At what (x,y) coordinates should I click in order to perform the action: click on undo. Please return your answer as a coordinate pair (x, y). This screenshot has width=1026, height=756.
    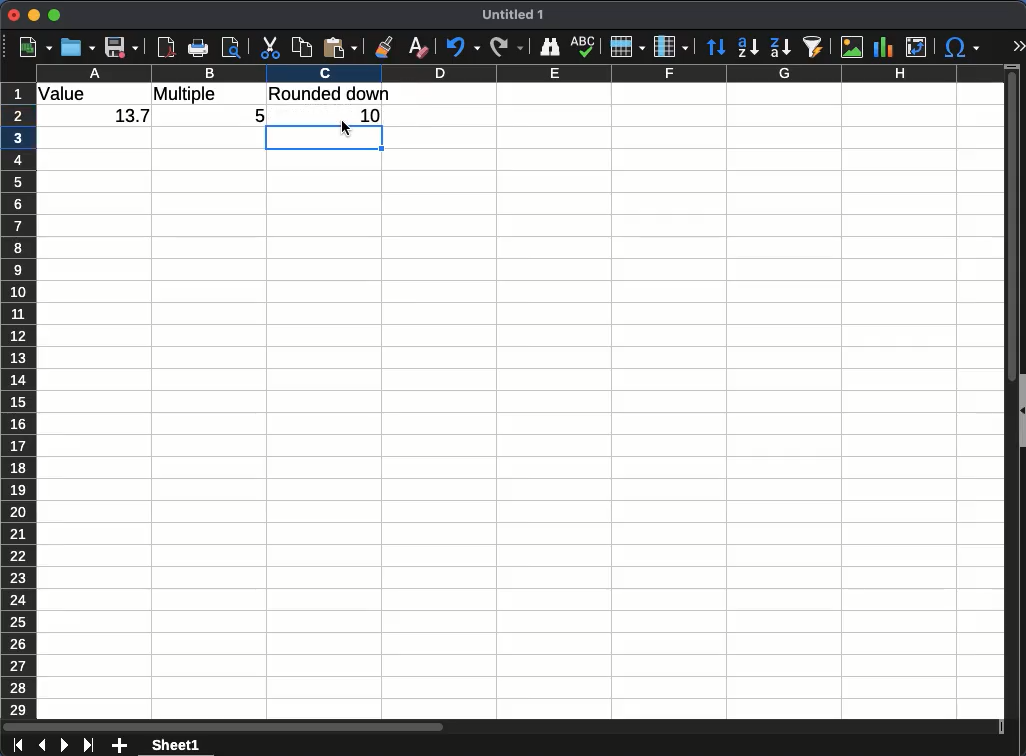
    Looking at the image, I should click on (462, 47).